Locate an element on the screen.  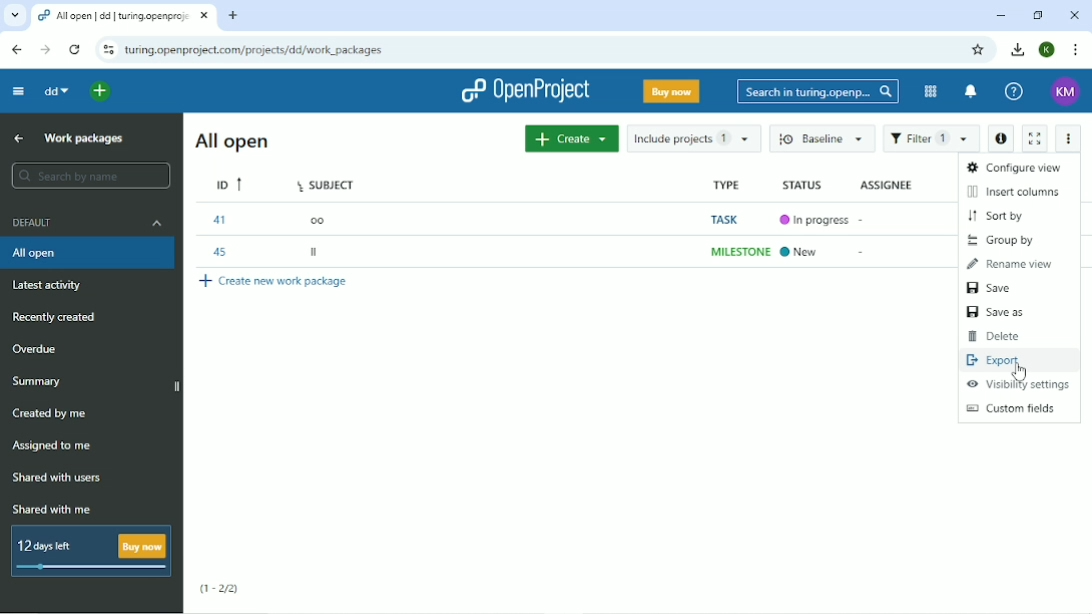
Include projects 1 is located at coordinates (695, 138).